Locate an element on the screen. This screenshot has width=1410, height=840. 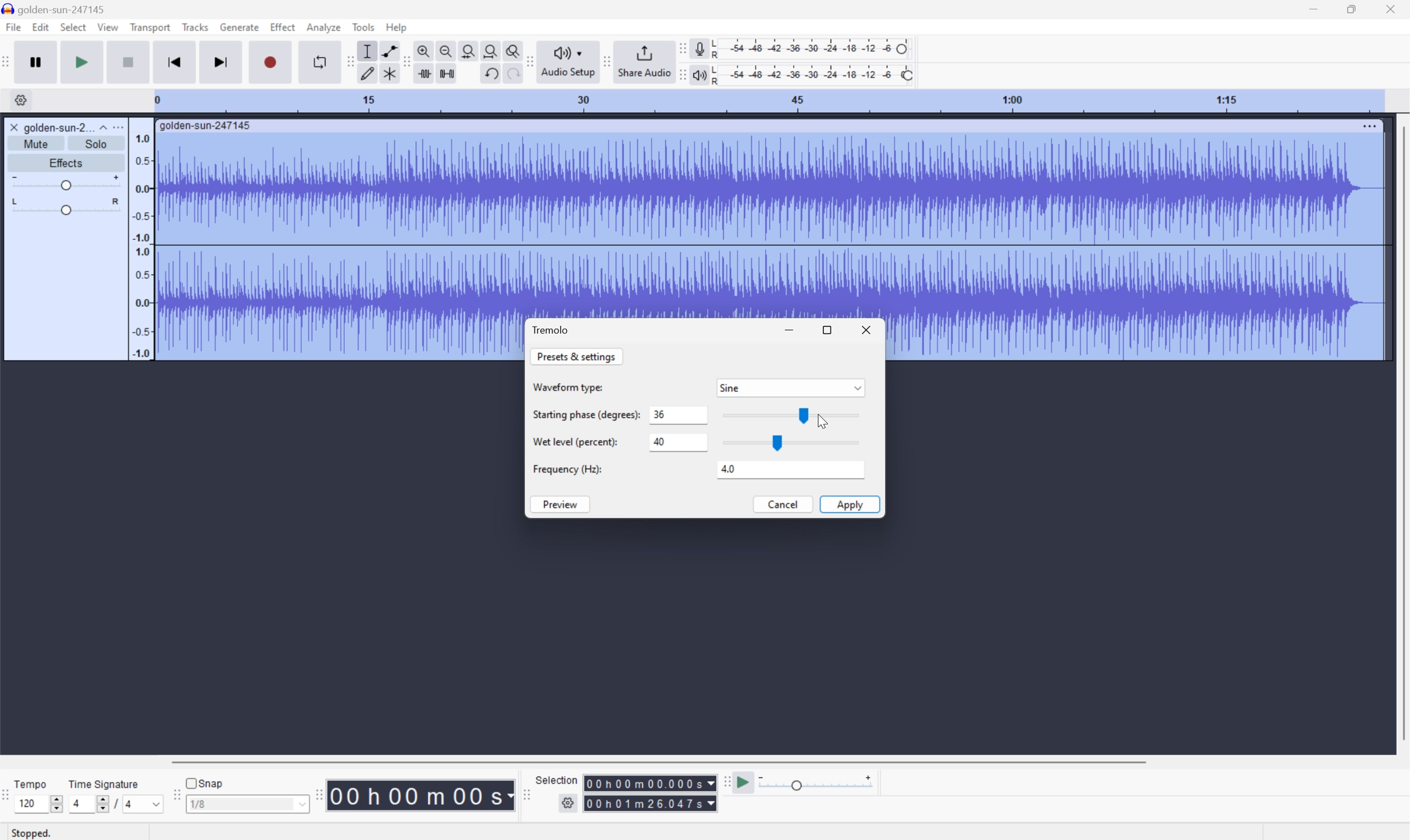
Mute is located at coordinates (36, 143).